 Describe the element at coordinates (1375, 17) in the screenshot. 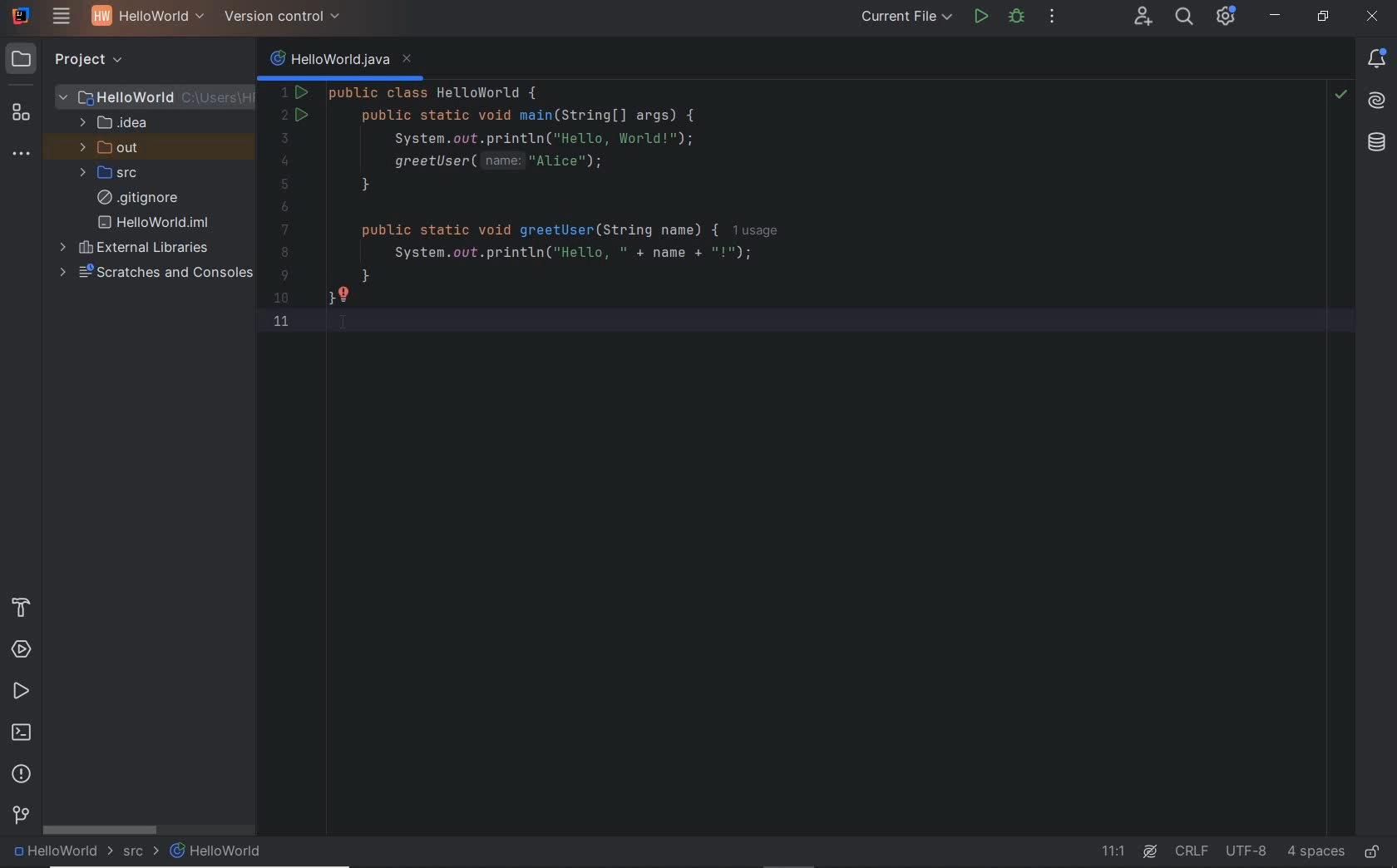

I see `close` at that location.